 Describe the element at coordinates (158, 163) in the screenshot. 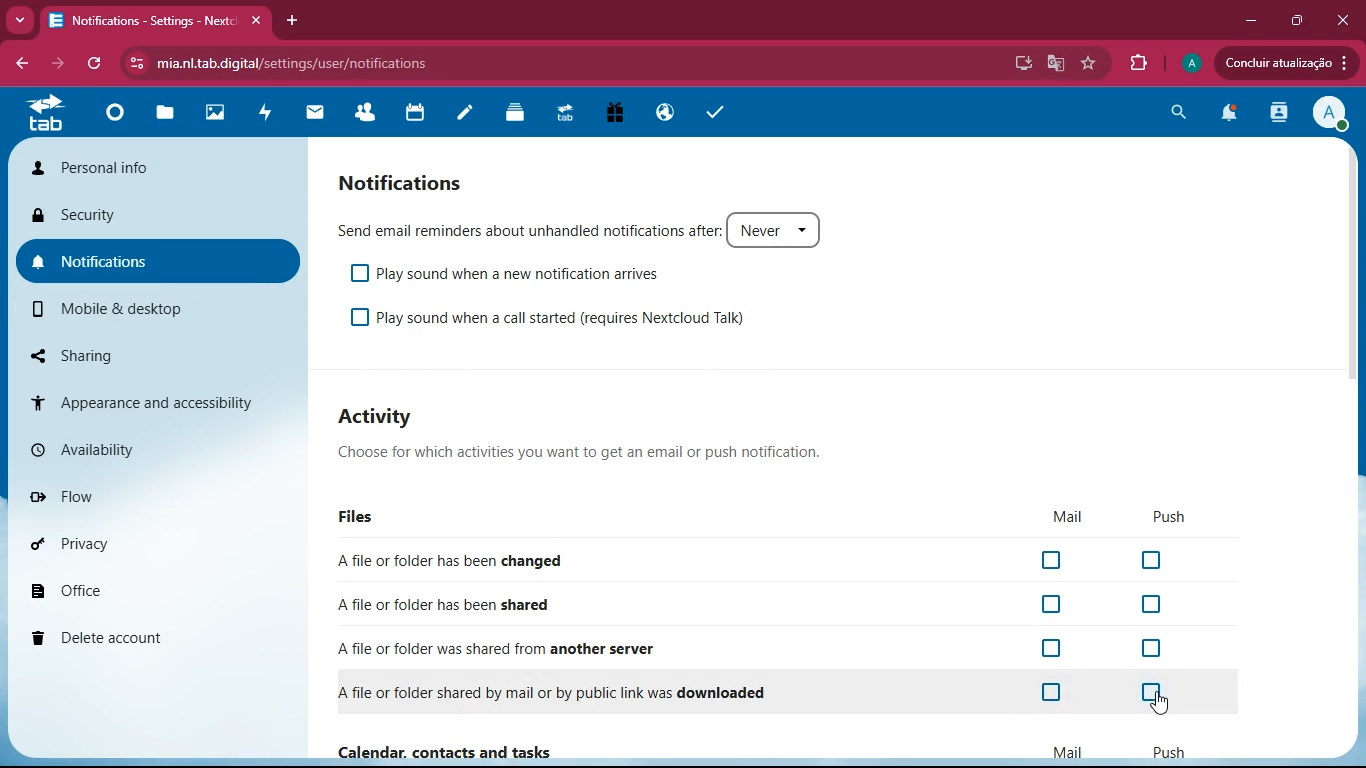

I see `personal info` at that location.